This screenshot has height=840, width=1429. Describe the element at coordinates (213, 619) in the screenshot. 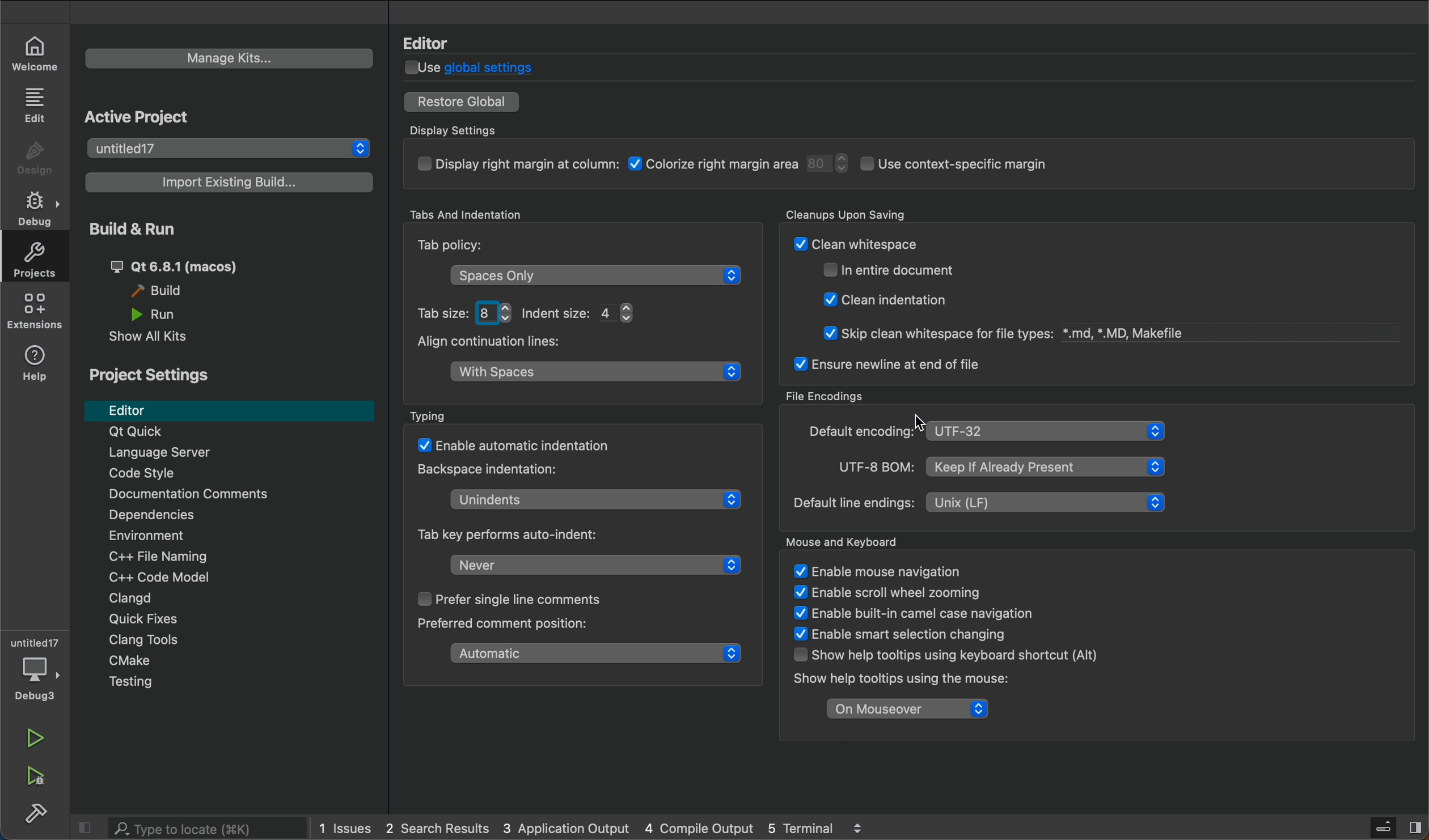

I see `Quick Fixes` at that location.